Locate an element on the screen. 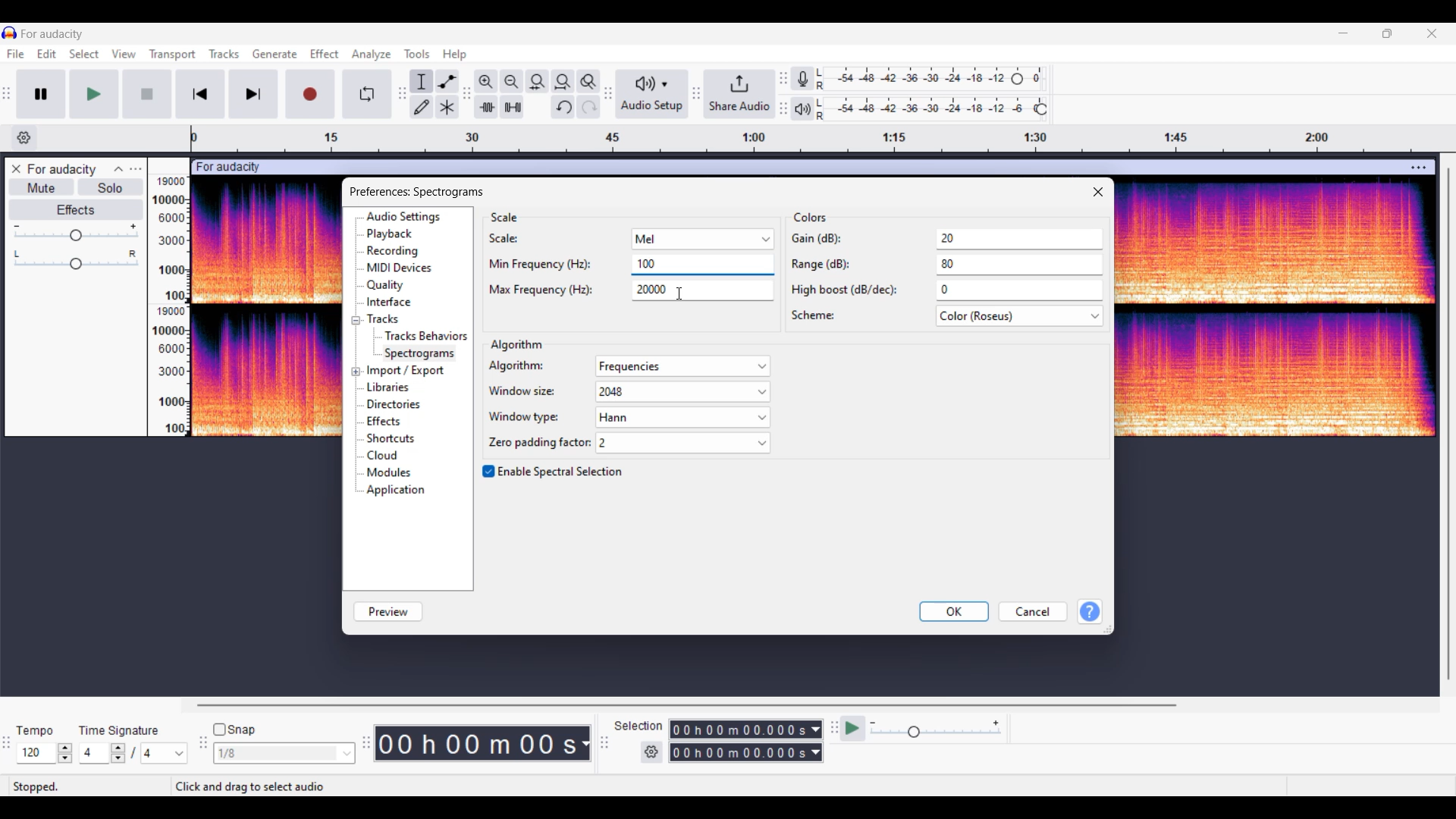 This screenshot has width=1456, height=819. Section title is located at coordinates (505, 217).